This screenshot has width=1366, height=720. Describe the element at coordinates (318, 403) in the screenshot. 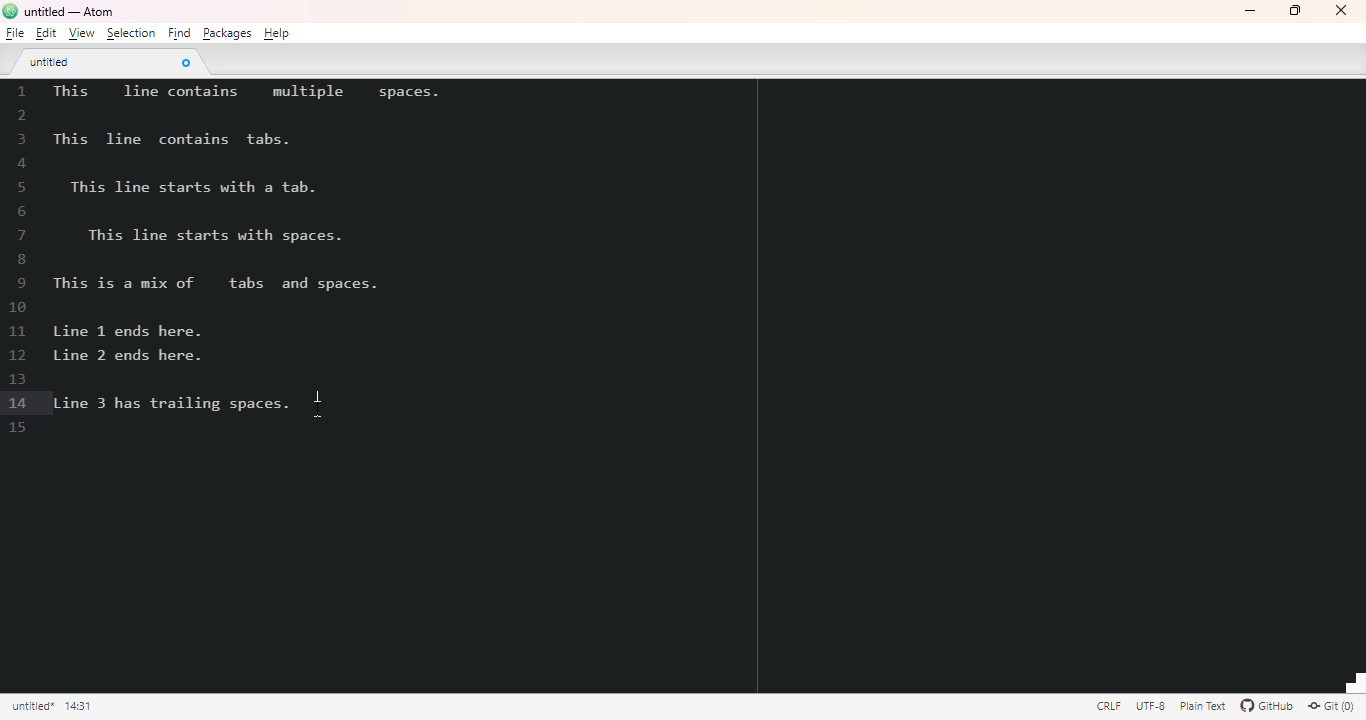

I see `hotkey (Ctrl+Shift+P)` at that location.